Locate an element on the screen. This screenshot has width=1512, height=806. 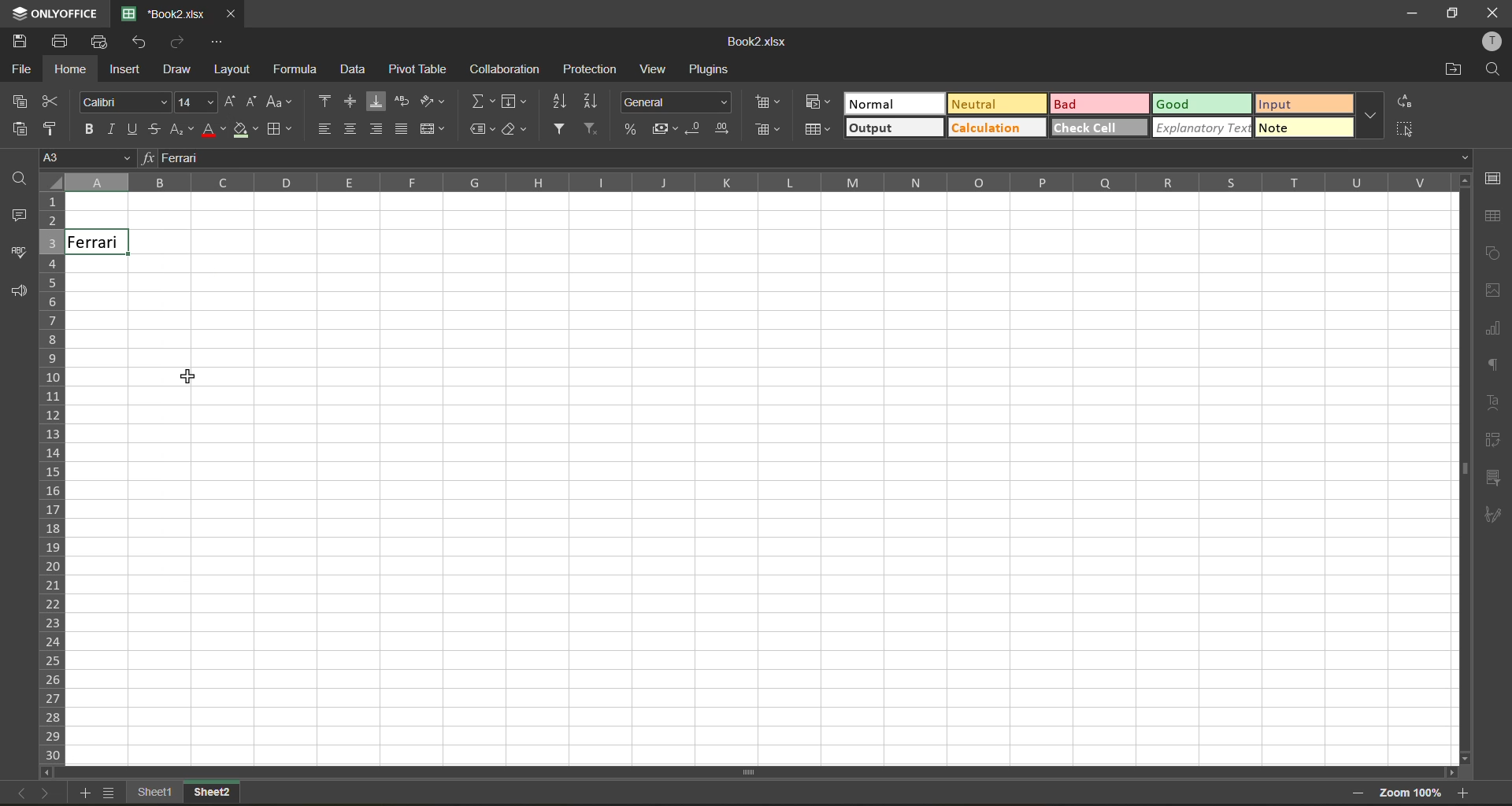
file is located at coordinates (19, 70).